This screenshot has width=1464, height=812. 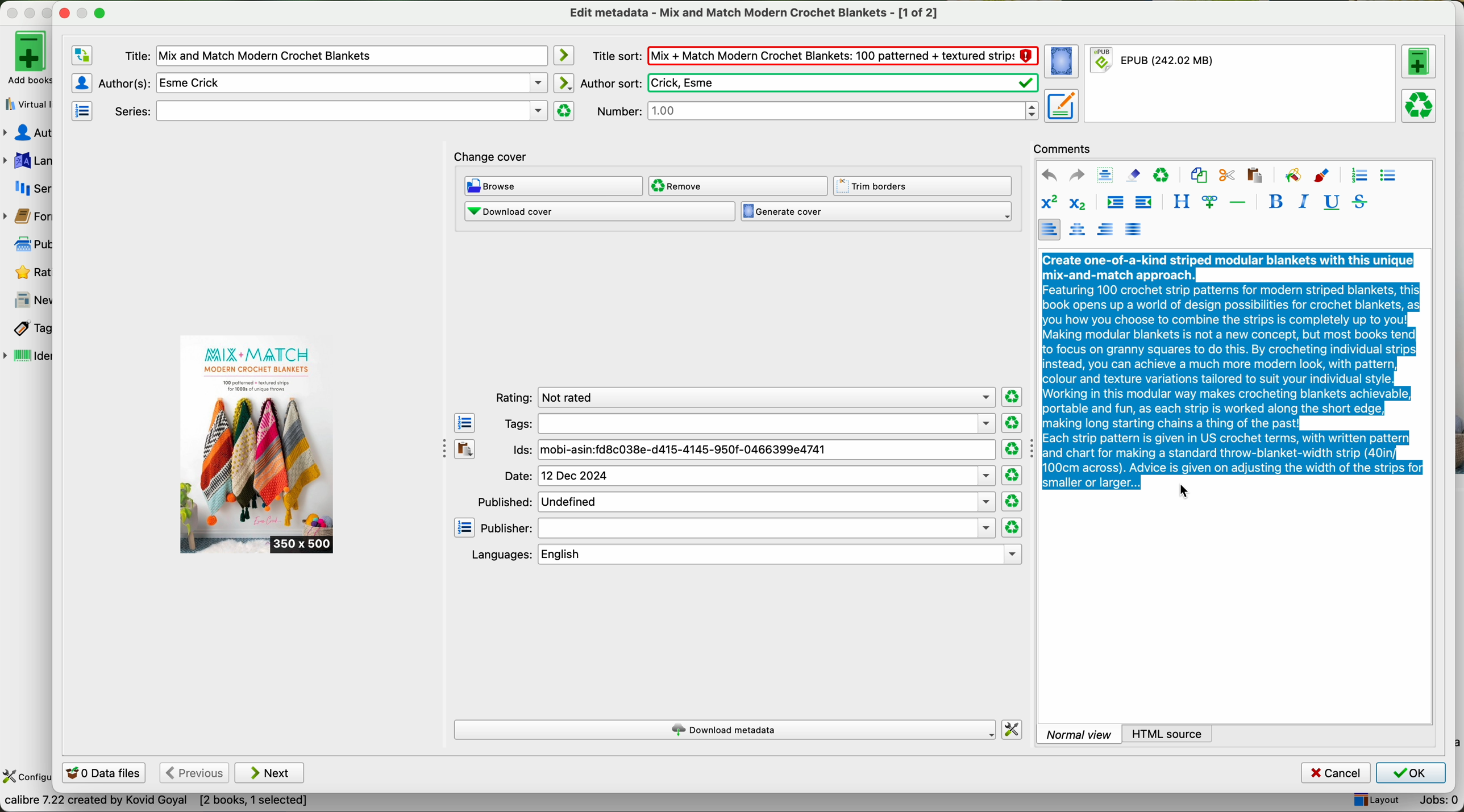 What do you see at coordinates (491, 158) in the screenshot?
I see `change cover` at bounding box center [491, 158].